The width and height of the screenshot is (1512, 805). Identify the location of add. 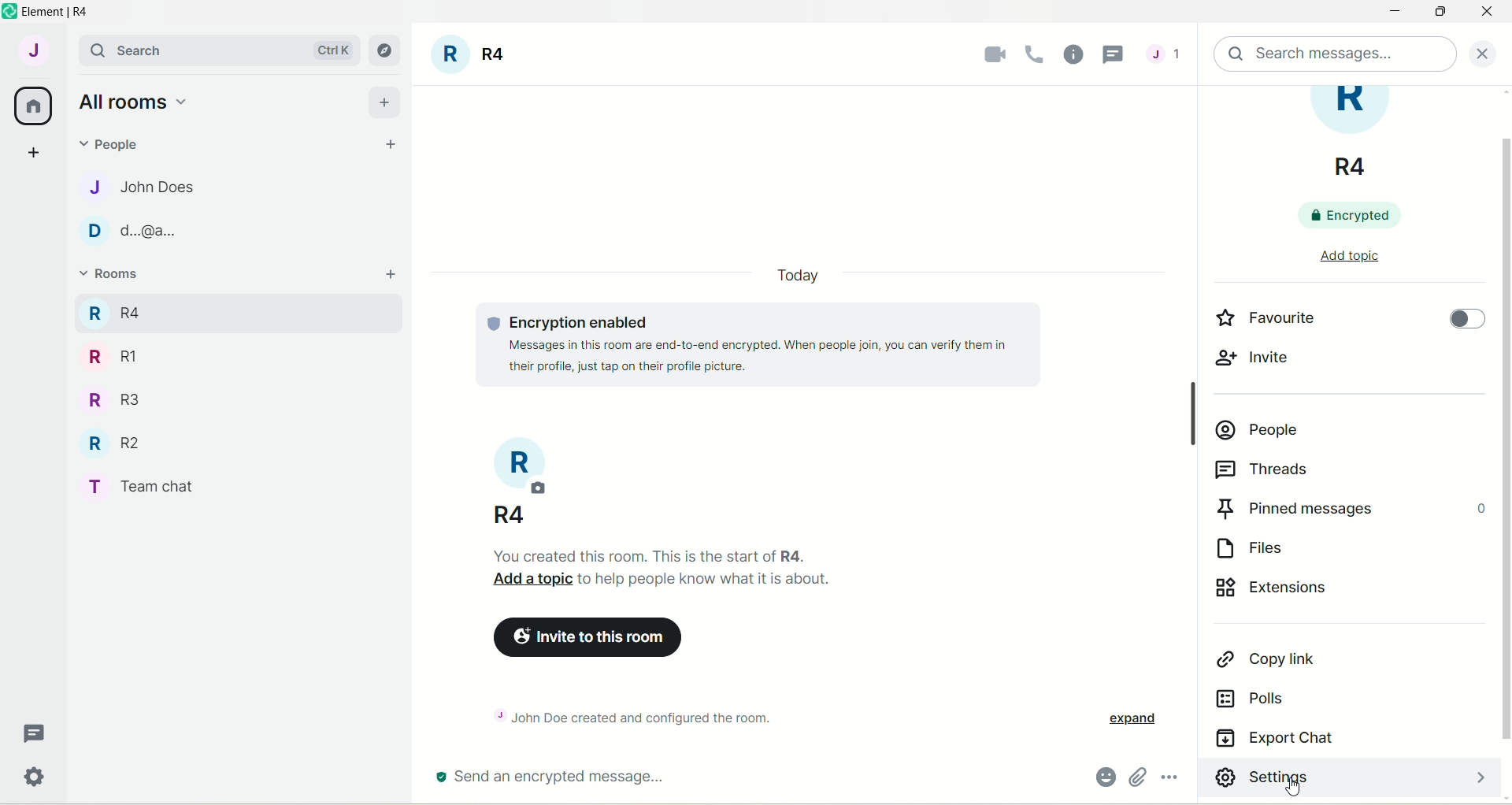
(385, 100).